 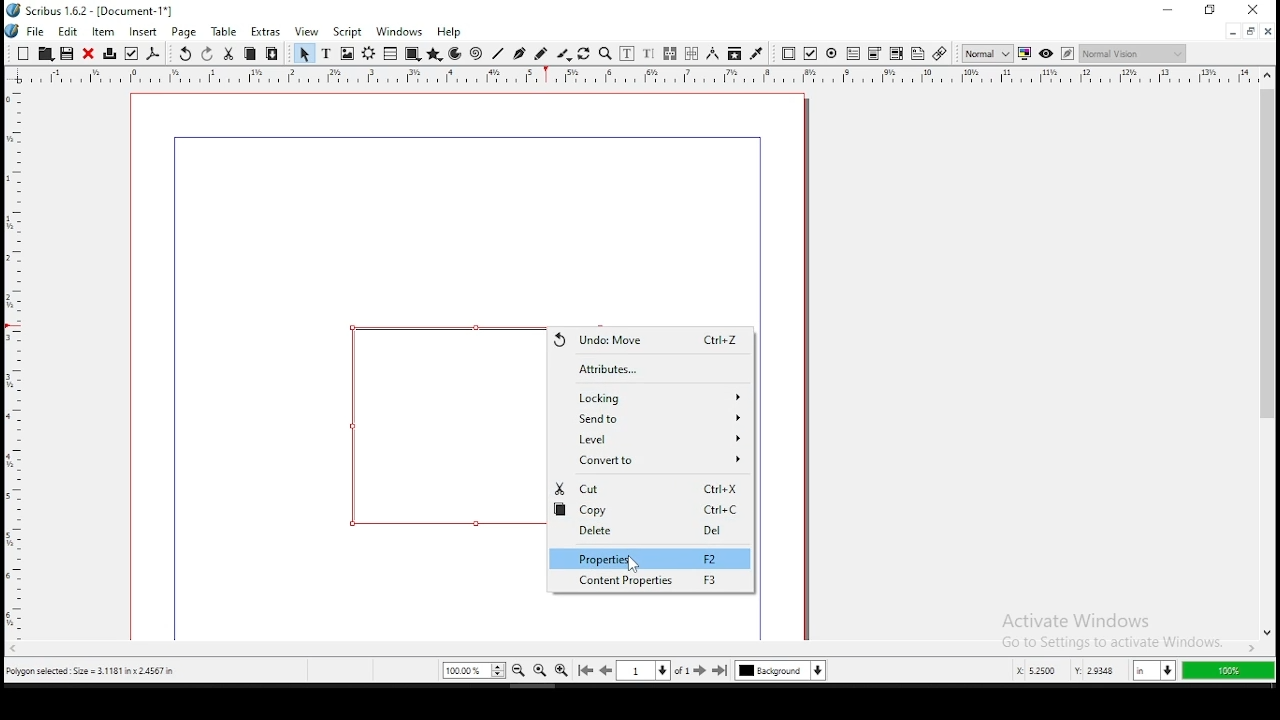 I want to click on file, so click(x=26, y=30).